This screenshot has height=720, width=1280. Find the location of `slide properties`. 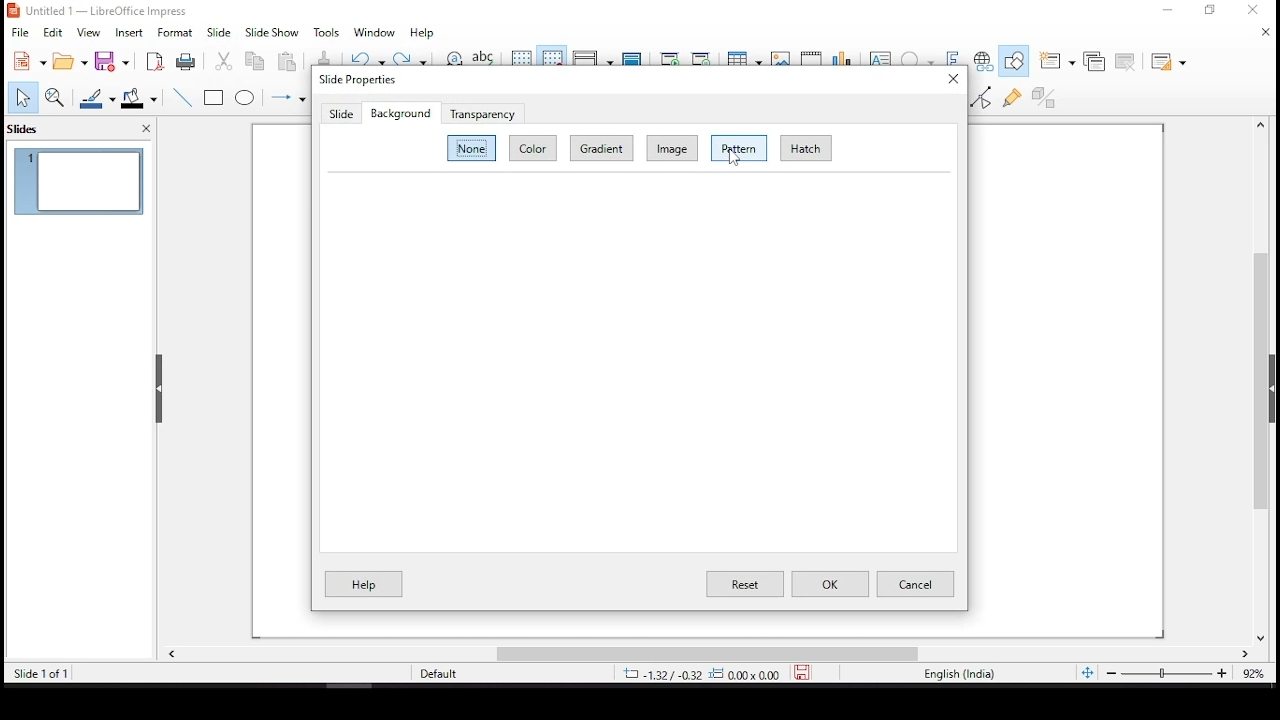

slide properties is located at coordinates (356, 79).